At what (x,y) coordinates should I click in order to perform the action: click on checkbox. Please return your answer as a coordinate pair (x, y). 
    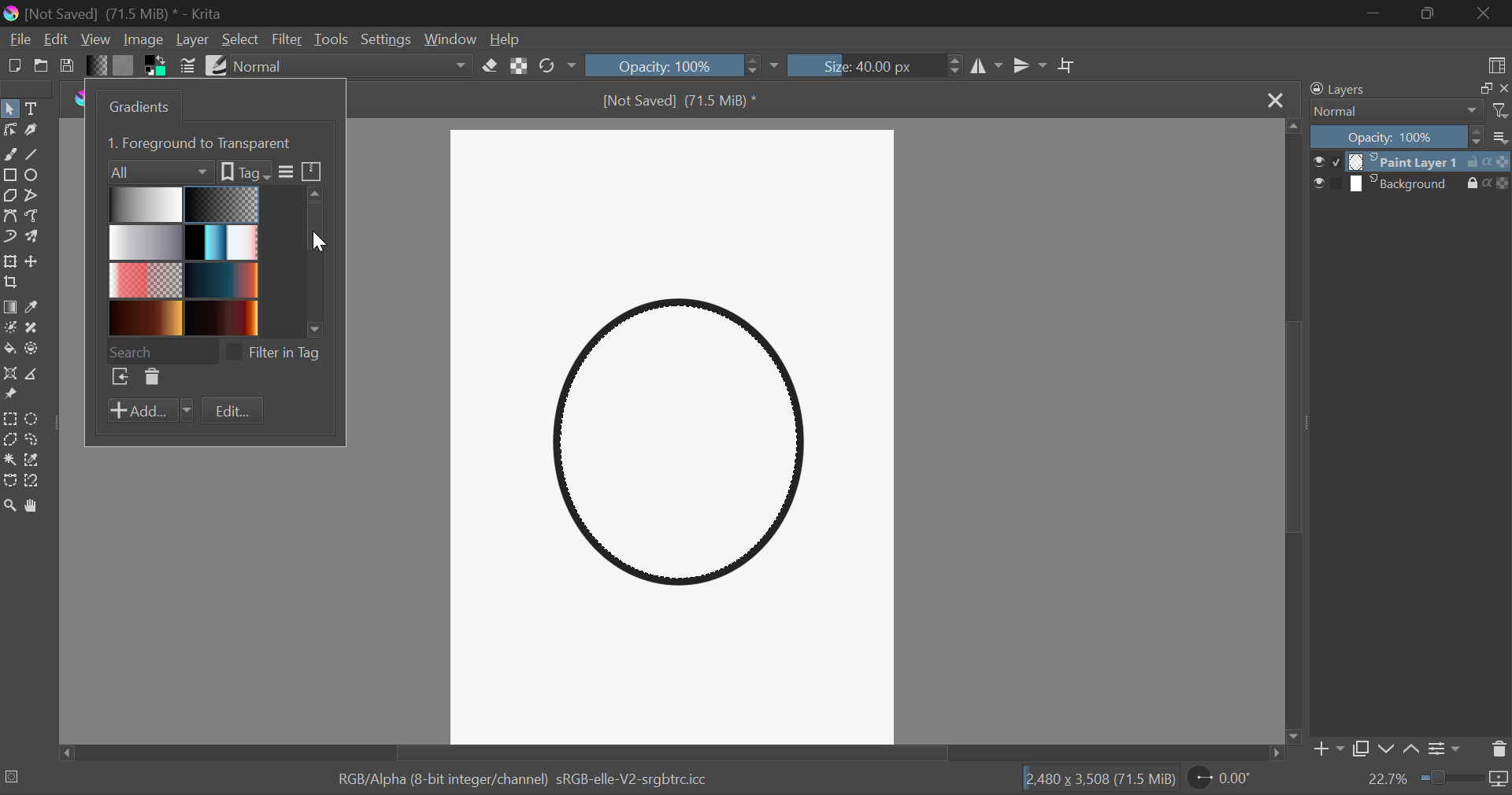
    Looking at the image, I should click on (234, 353).